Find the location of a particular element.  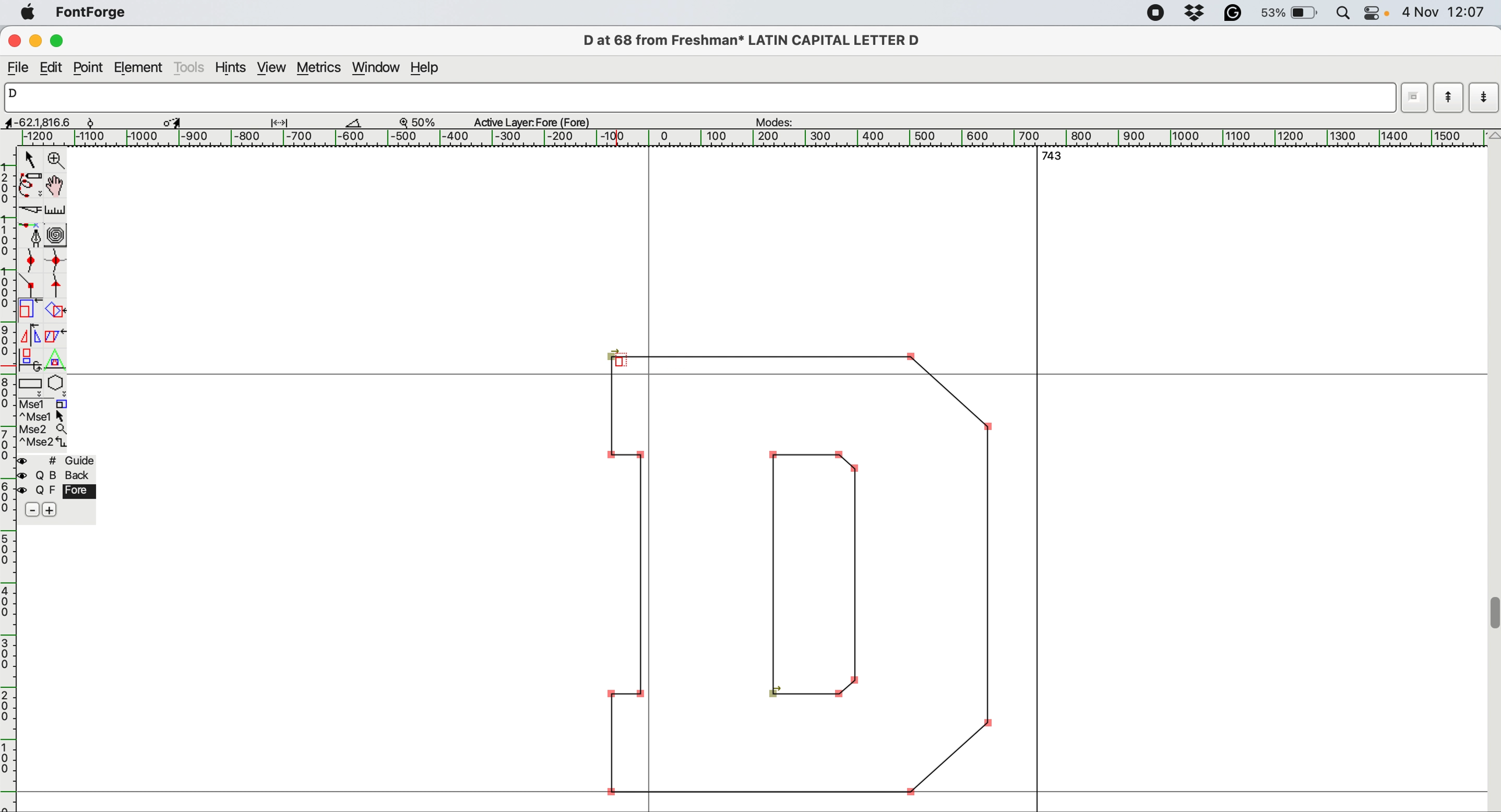

view is located at coordinates (272, 68).